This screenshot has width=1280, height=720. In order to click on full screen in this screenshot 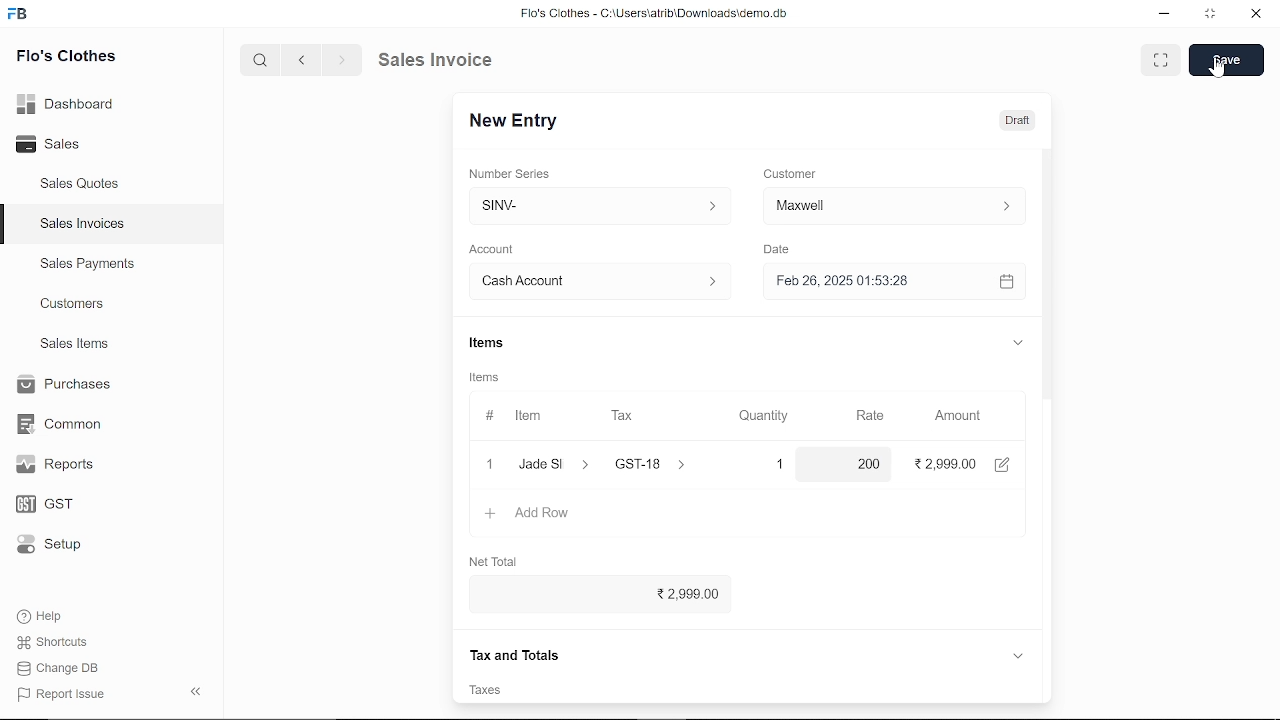, I will do `click(1160, 60)`.